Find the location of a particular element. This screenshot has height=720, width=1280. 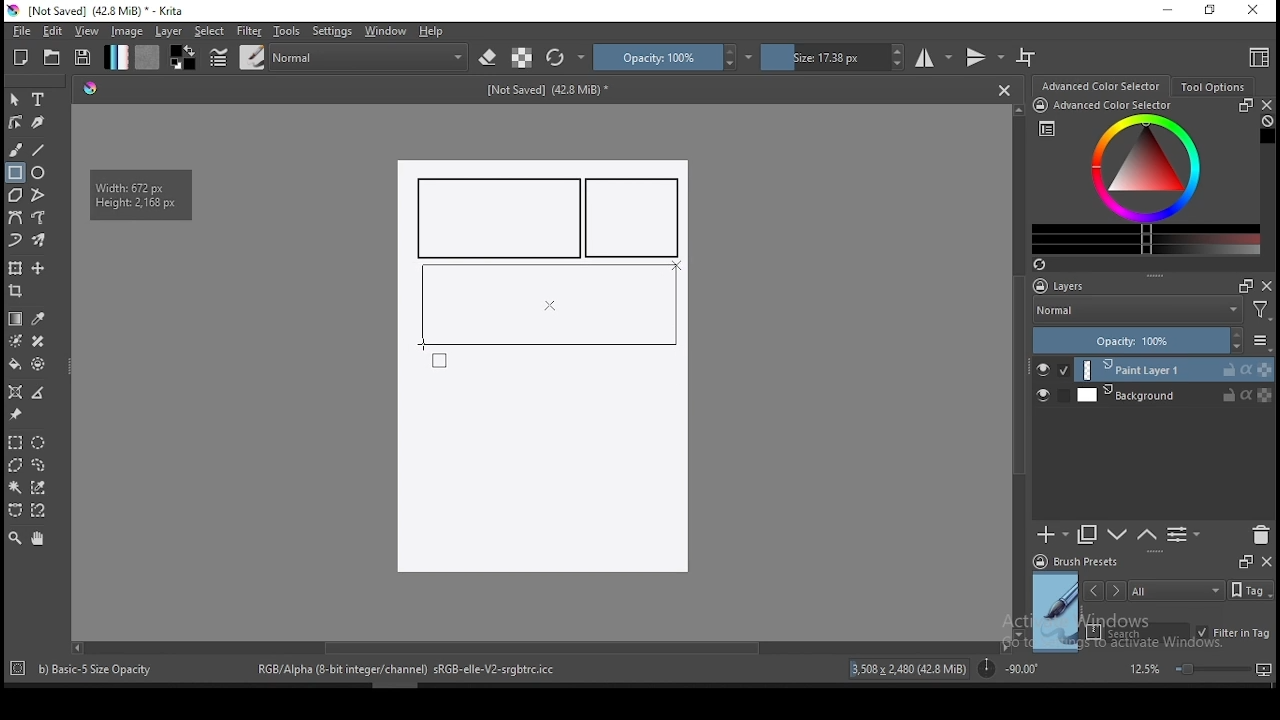

layer is located at coordinates (170, 31).